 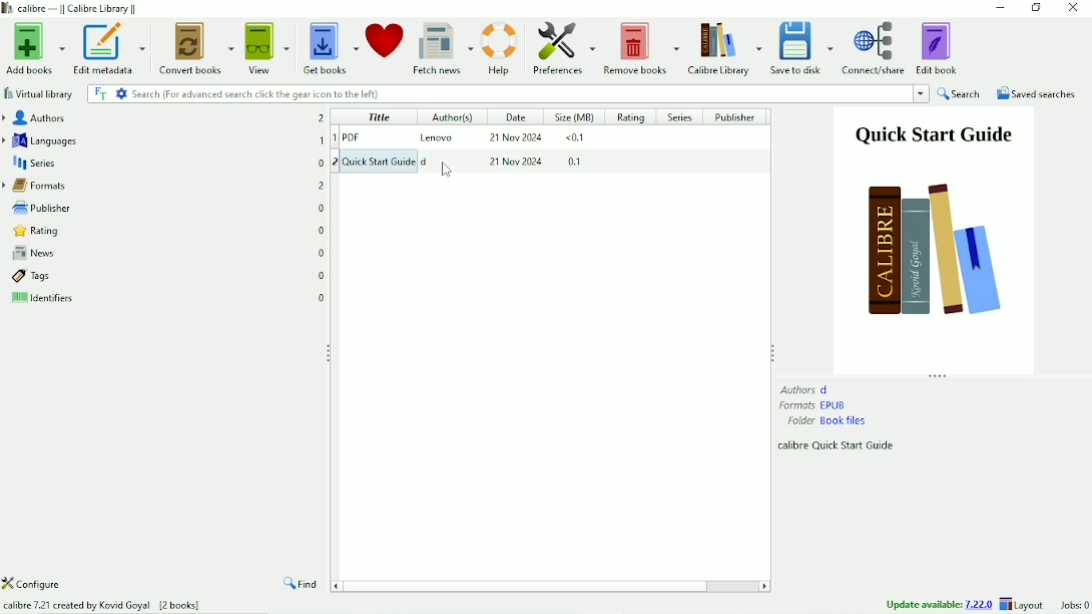 I want to click on Calibre, so click(x=76, y=8).